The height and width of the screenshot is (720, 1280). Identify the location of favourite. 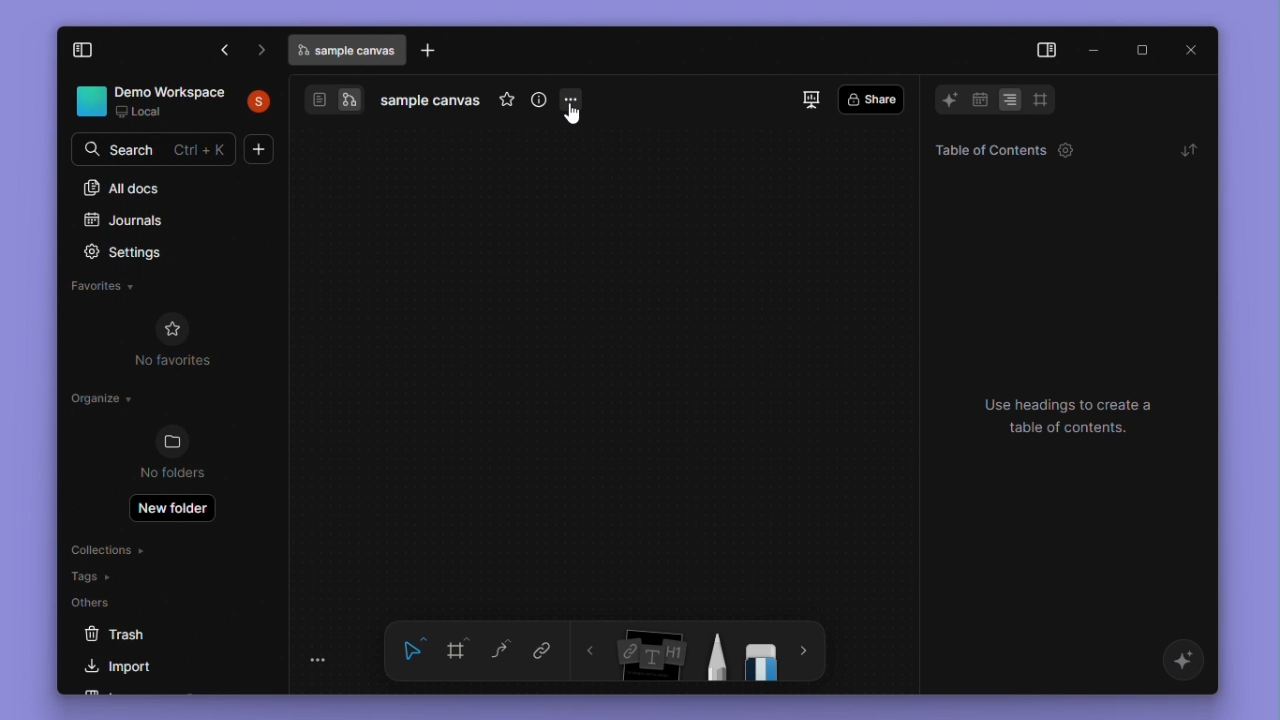
(506, 102).